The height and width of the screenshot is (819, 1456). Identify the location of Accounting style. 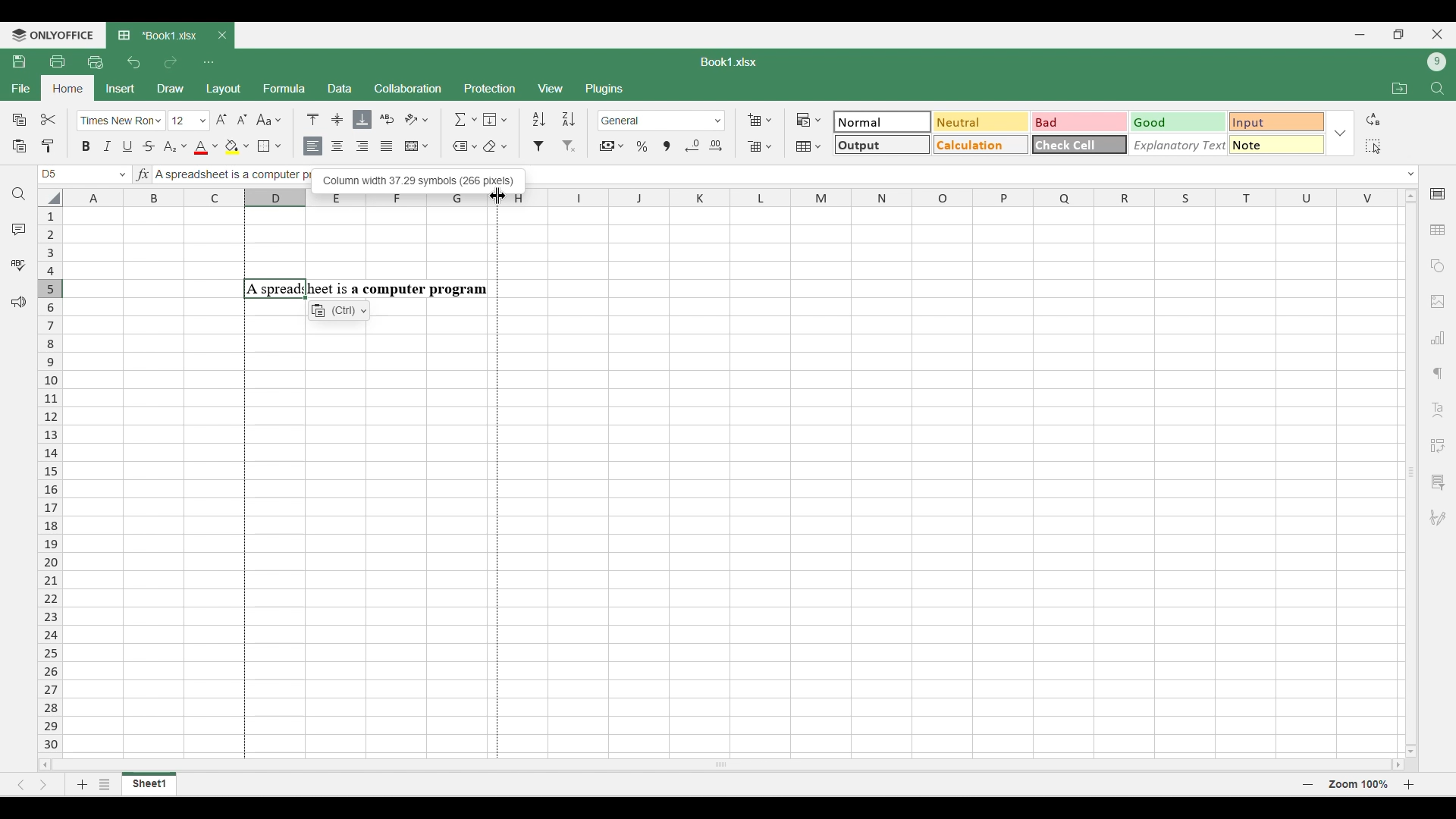
(613, 146).